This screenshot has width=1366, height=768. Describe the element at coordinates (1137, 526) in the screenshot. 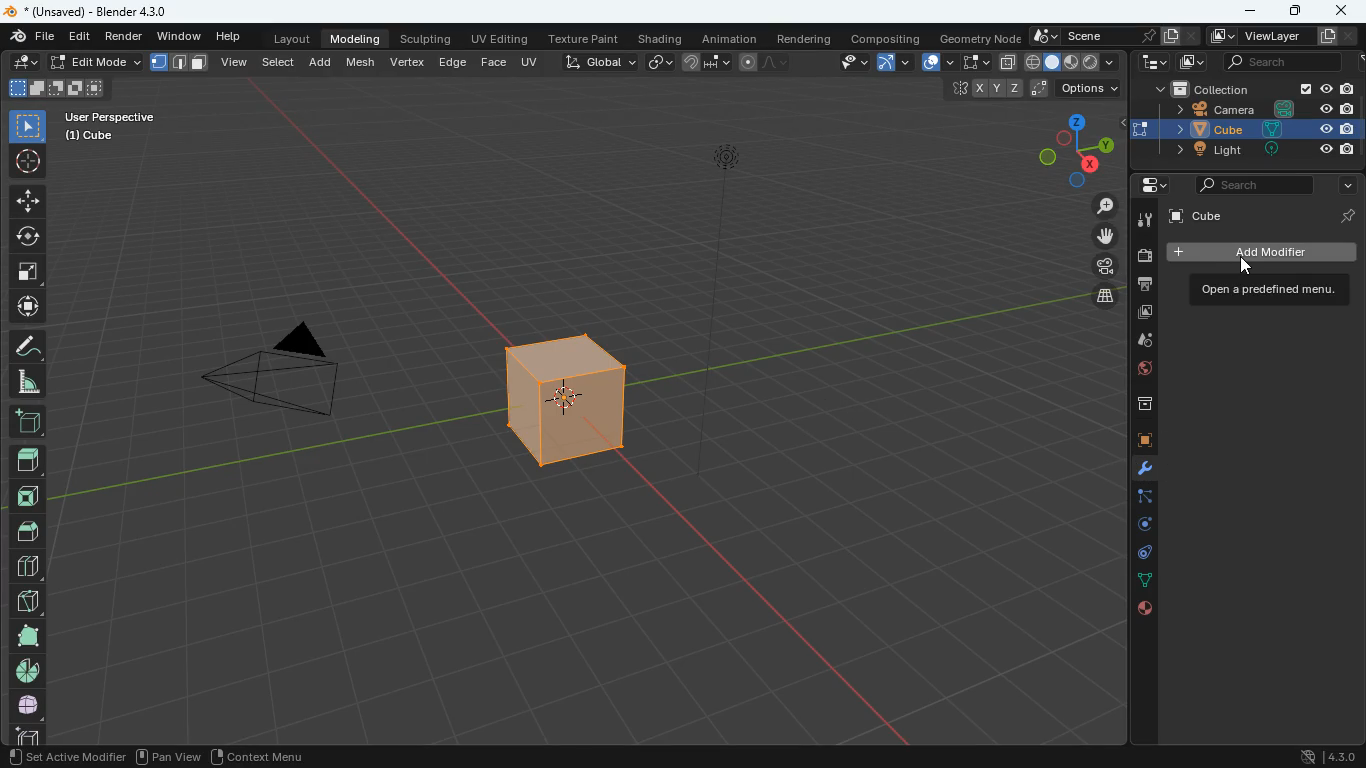

I see `rotation` at that location.